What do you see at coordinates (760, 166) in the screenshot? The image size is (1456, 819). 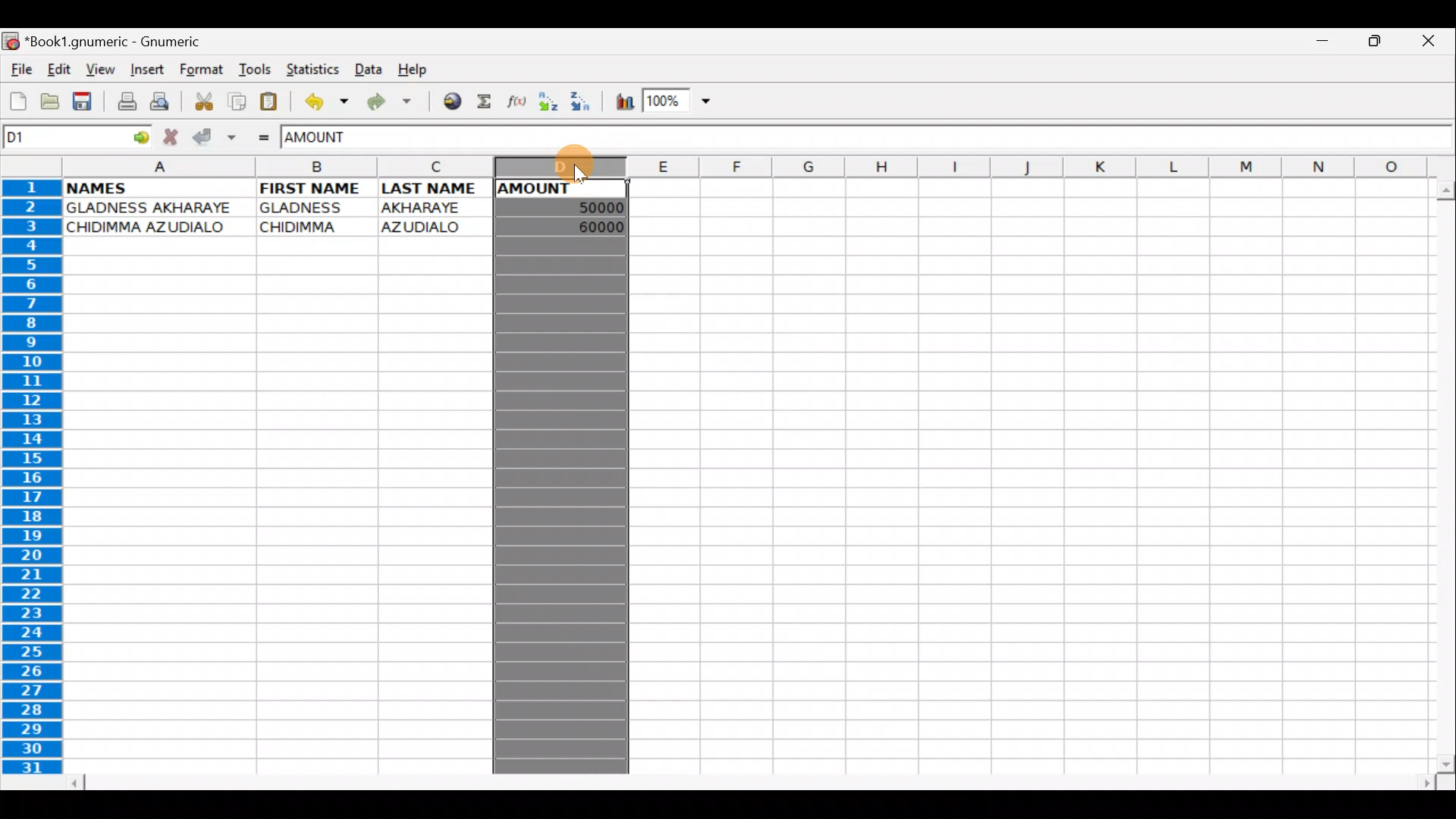 I see `Columns` at bounding box center [760, 166].